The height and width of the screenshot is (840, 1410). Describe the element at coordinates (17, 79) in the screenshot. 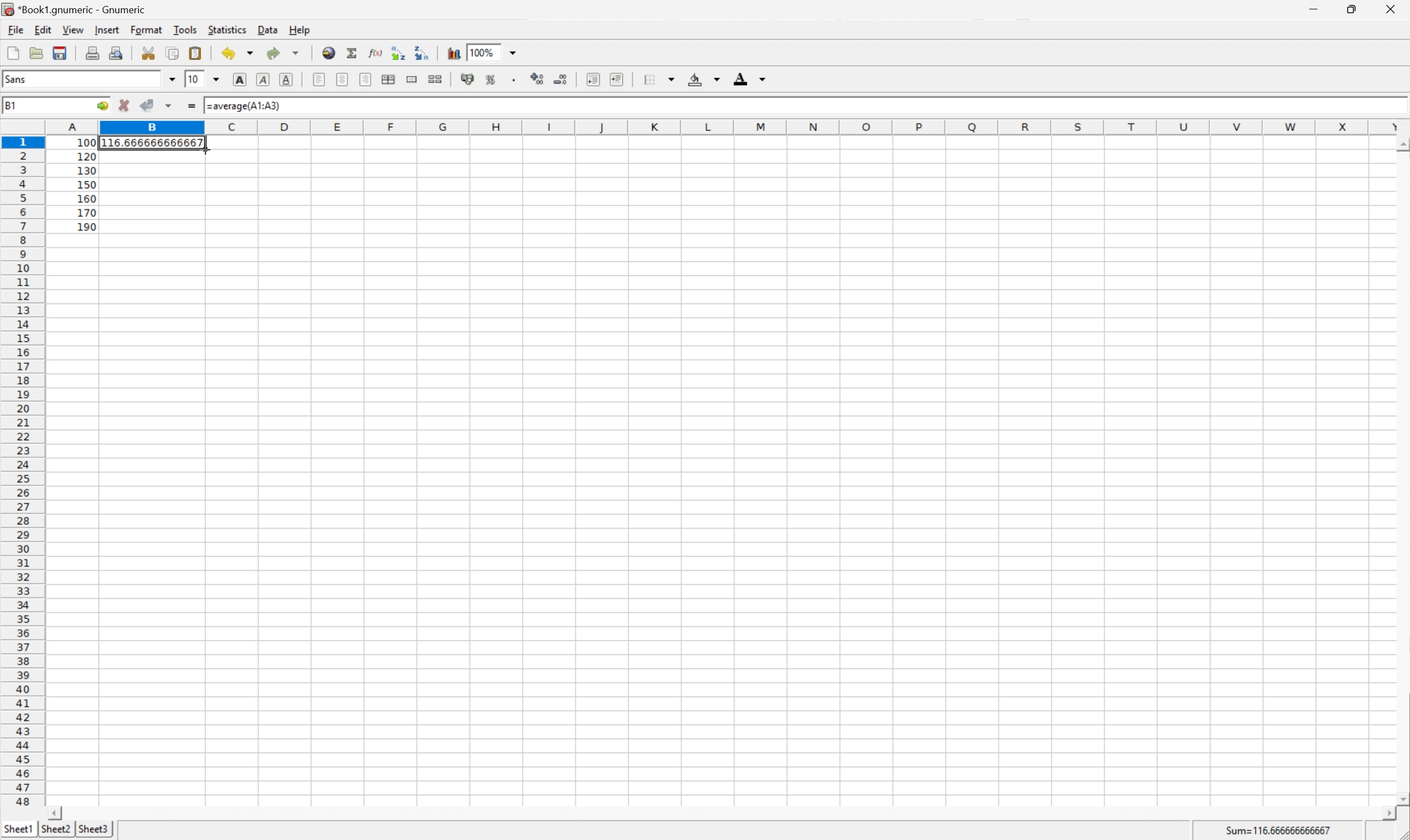

I see `Sans` at that location.